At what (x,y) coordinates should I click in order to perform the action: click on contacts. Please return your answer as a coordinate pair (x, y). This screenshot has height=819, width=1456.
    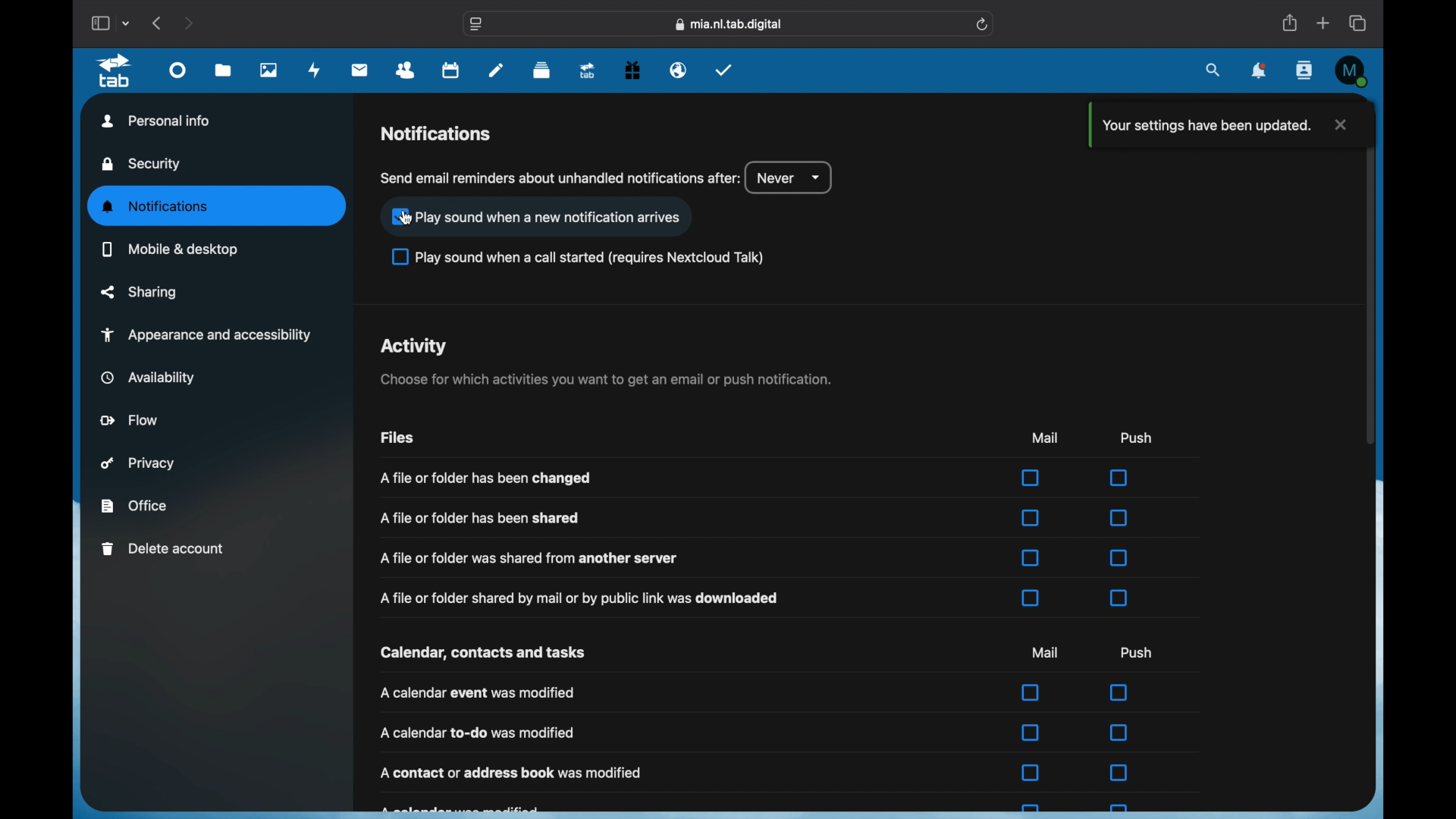
    Looking at the image, I should click on (406, 70).